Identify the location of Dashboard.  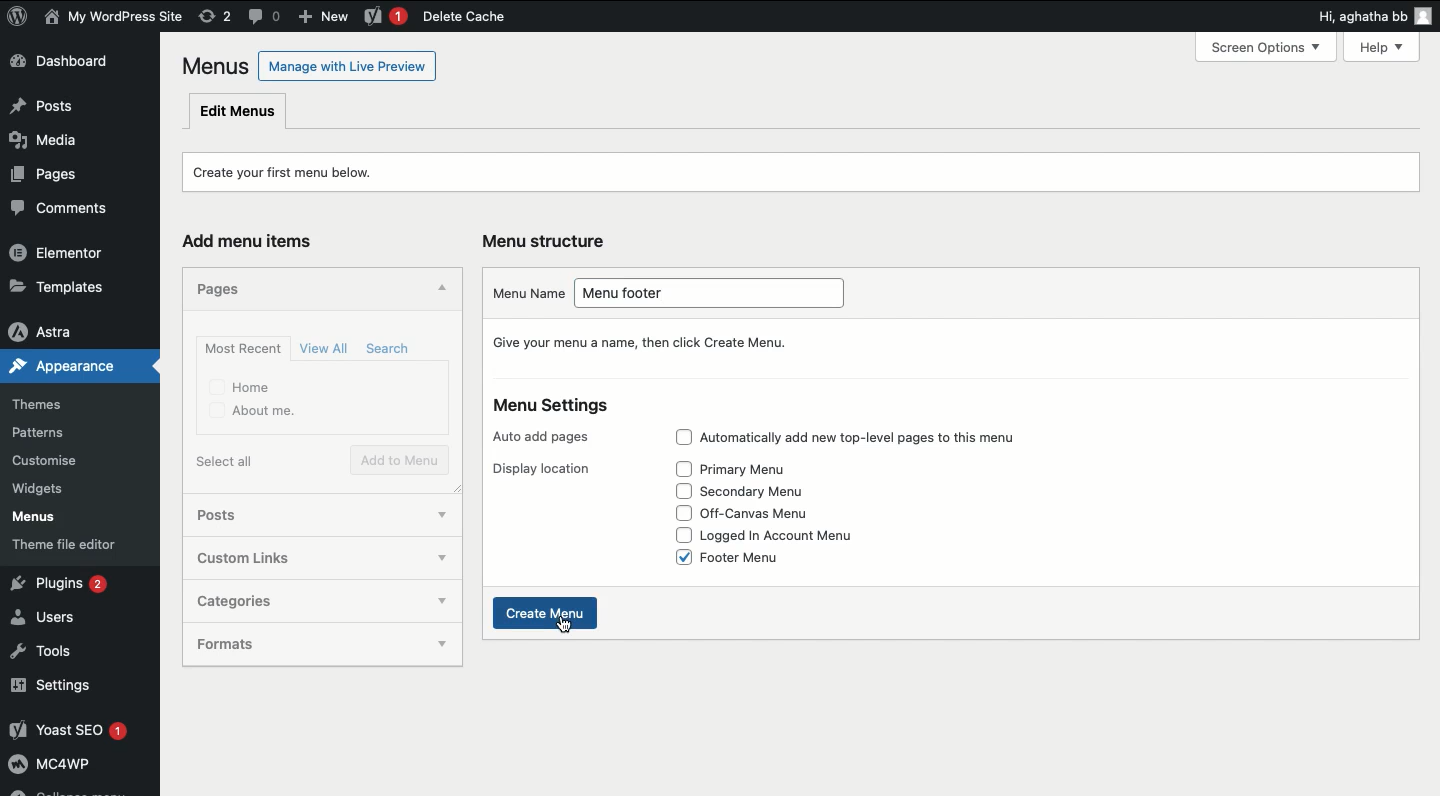
(71, 64).